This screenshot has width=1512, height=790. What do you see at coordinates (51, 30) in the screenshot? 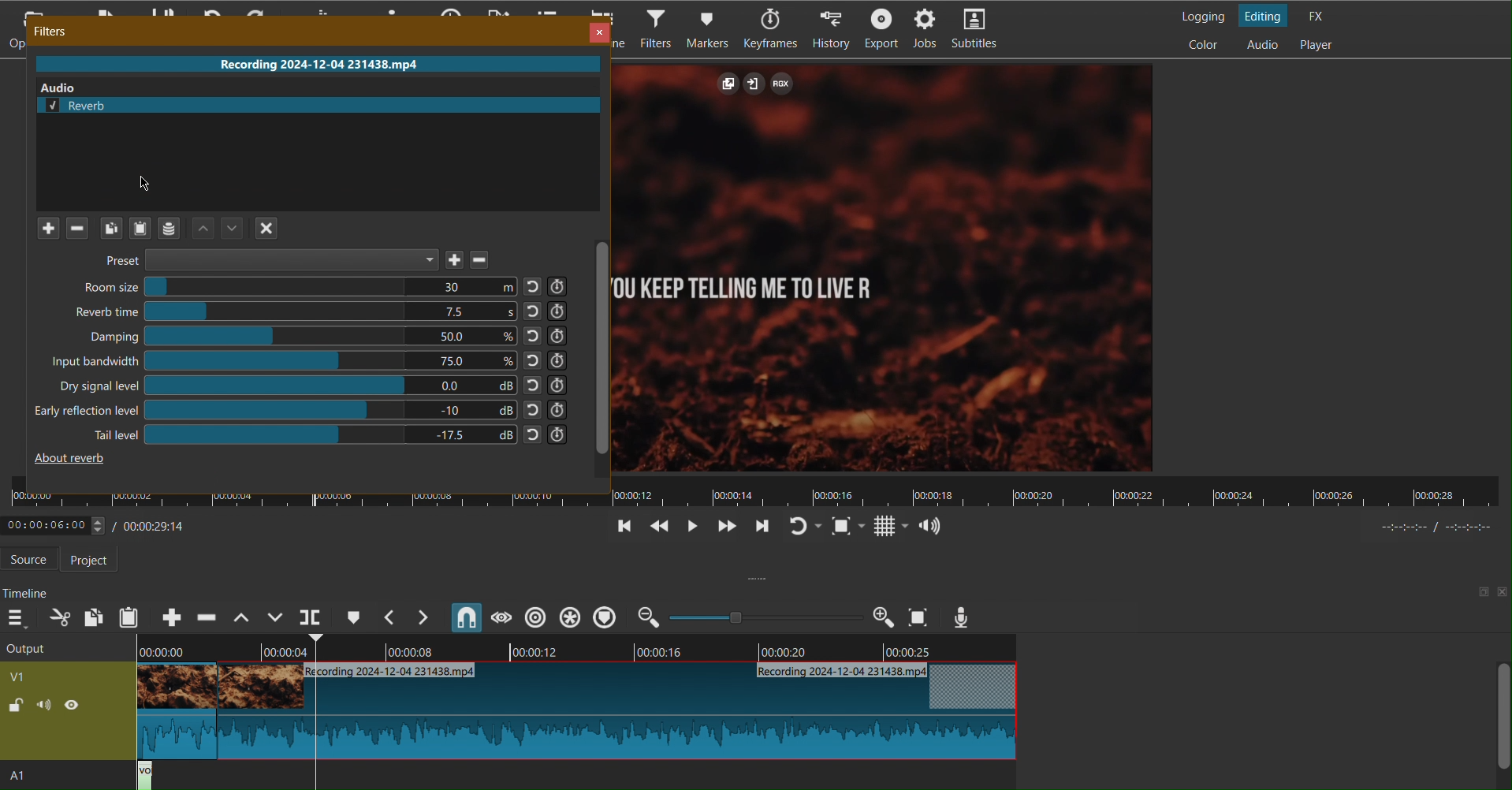
I see `Filters` at bounding box center [51, 30].